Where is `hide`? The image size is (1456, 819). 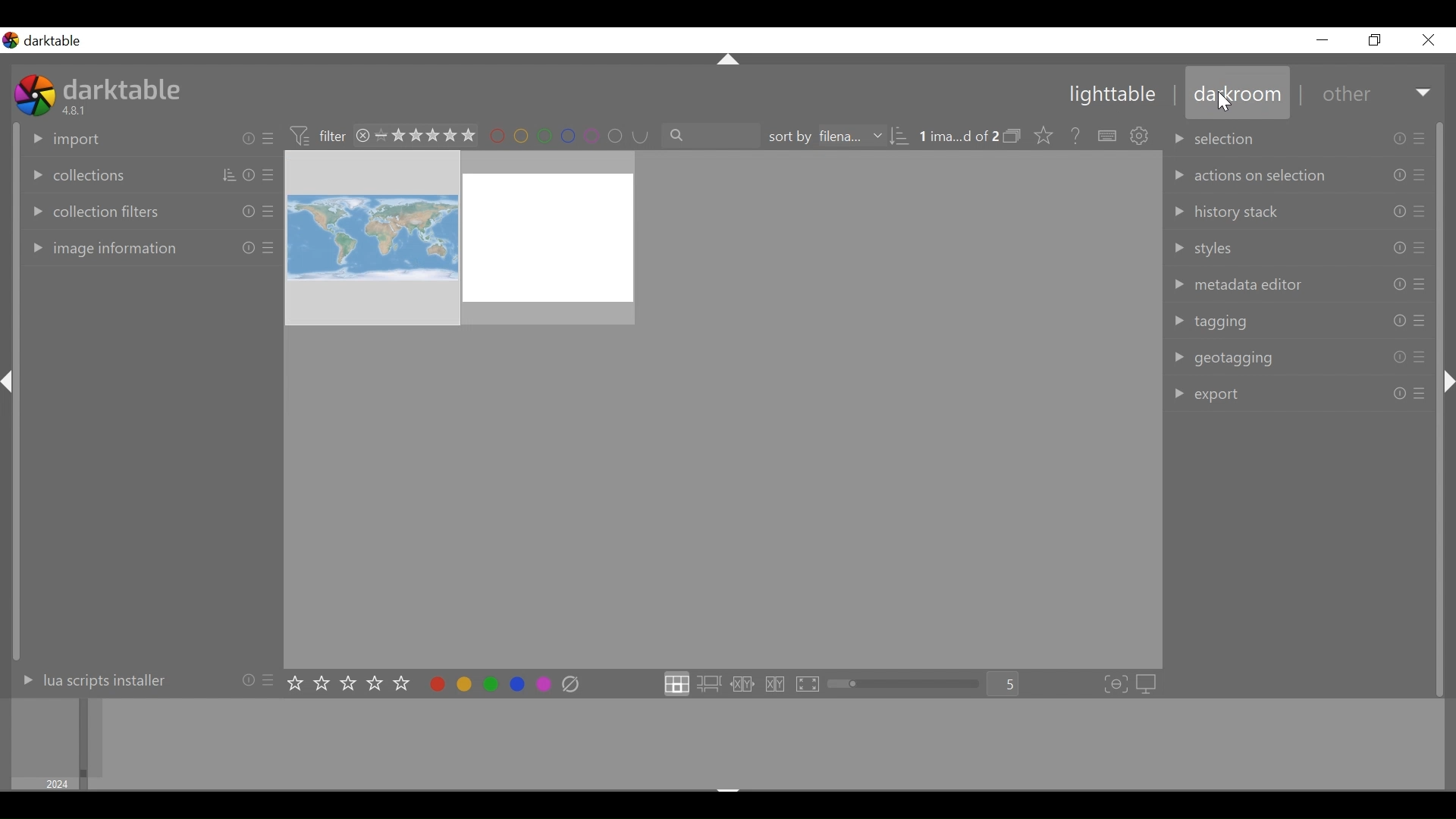 hide is located at coordinates (11, 384).